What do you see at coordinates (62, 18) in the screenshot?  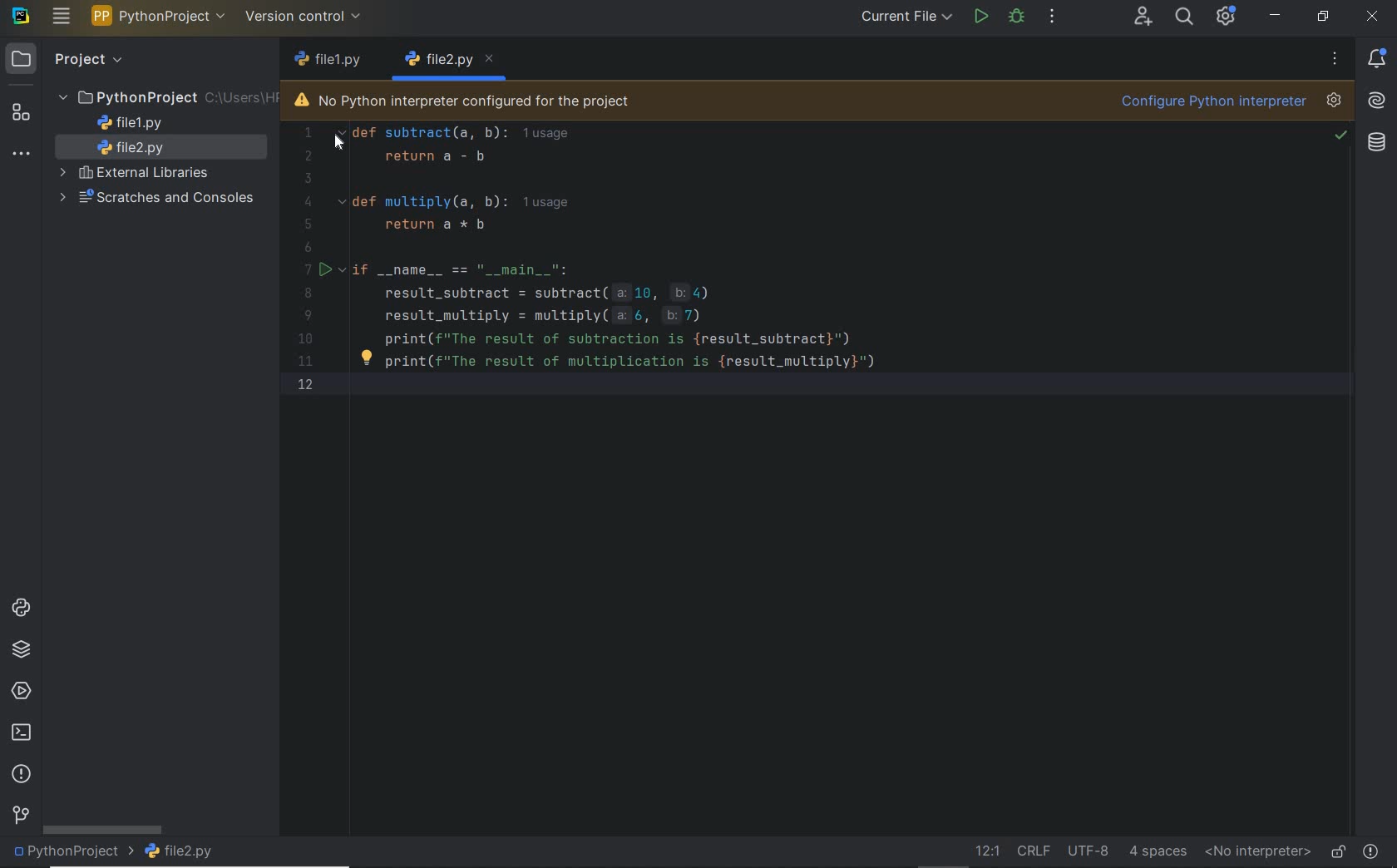 I see `main menu` at bounding box center [62, 18].